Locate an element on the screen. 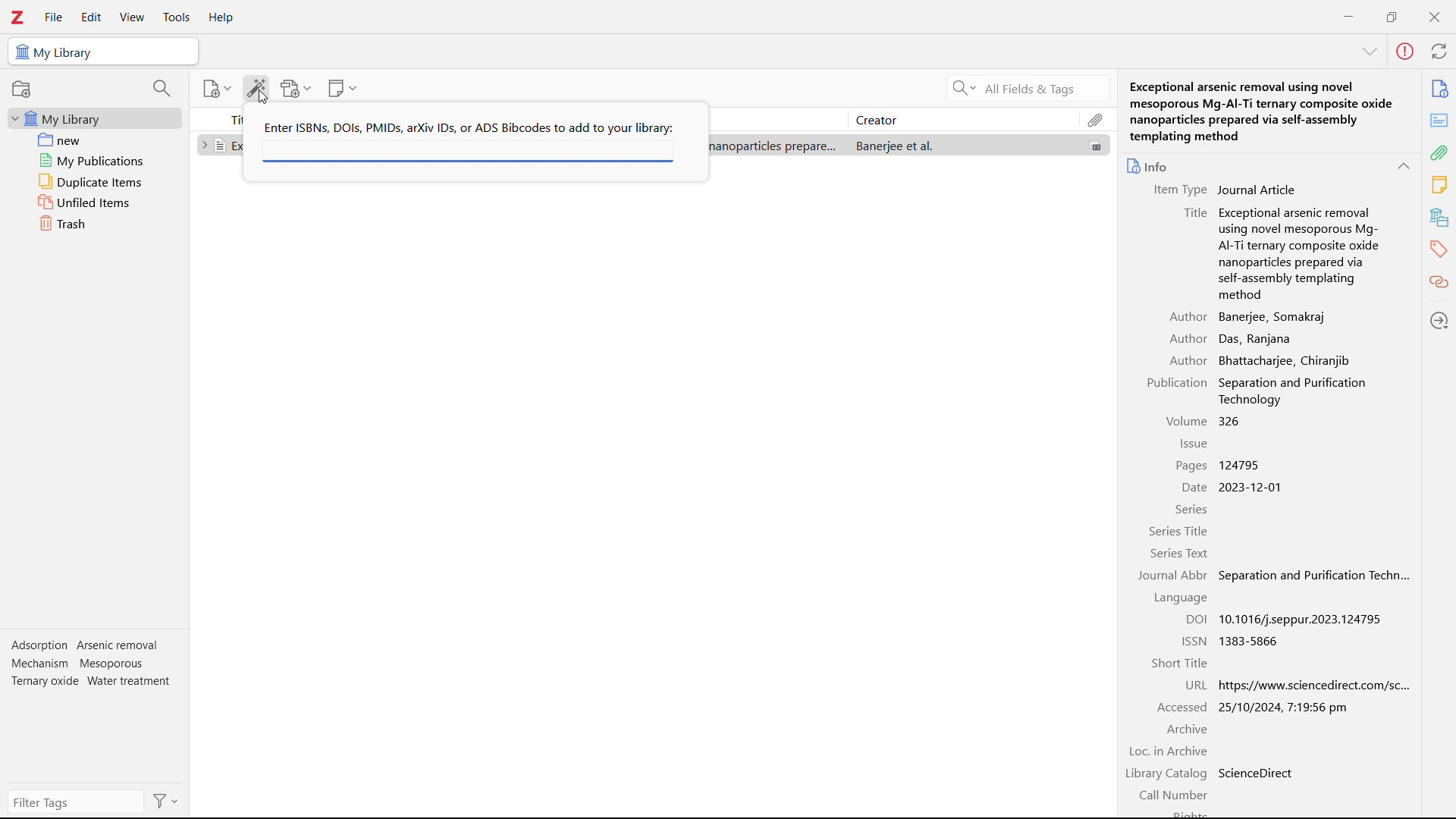 Image resolution: width=1456 pixels, height=819 pixels. edit is located at coordinates (91, 18).